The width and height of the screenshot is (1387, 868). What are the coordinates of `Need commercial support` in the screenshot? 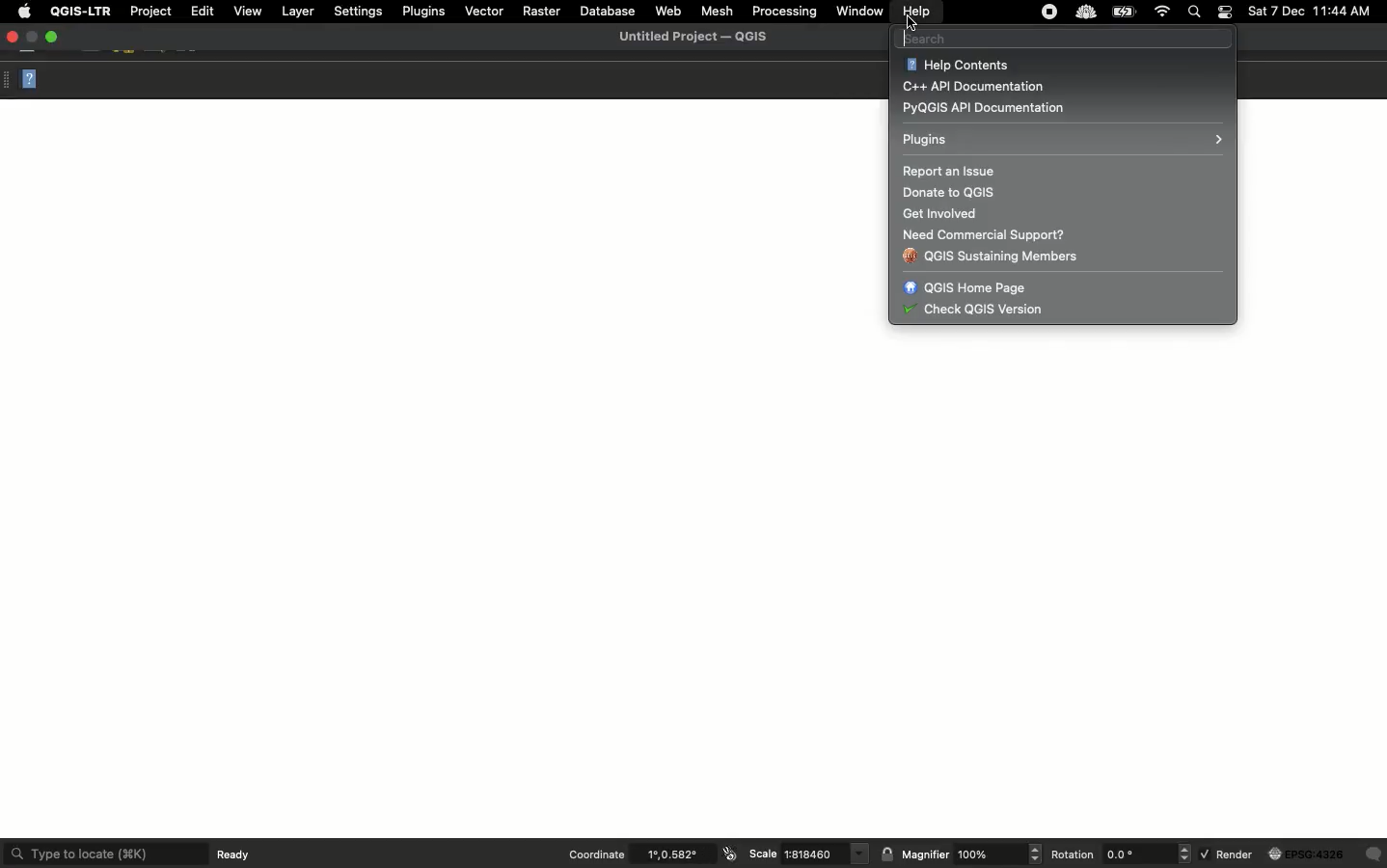 It's located at (985, 235).